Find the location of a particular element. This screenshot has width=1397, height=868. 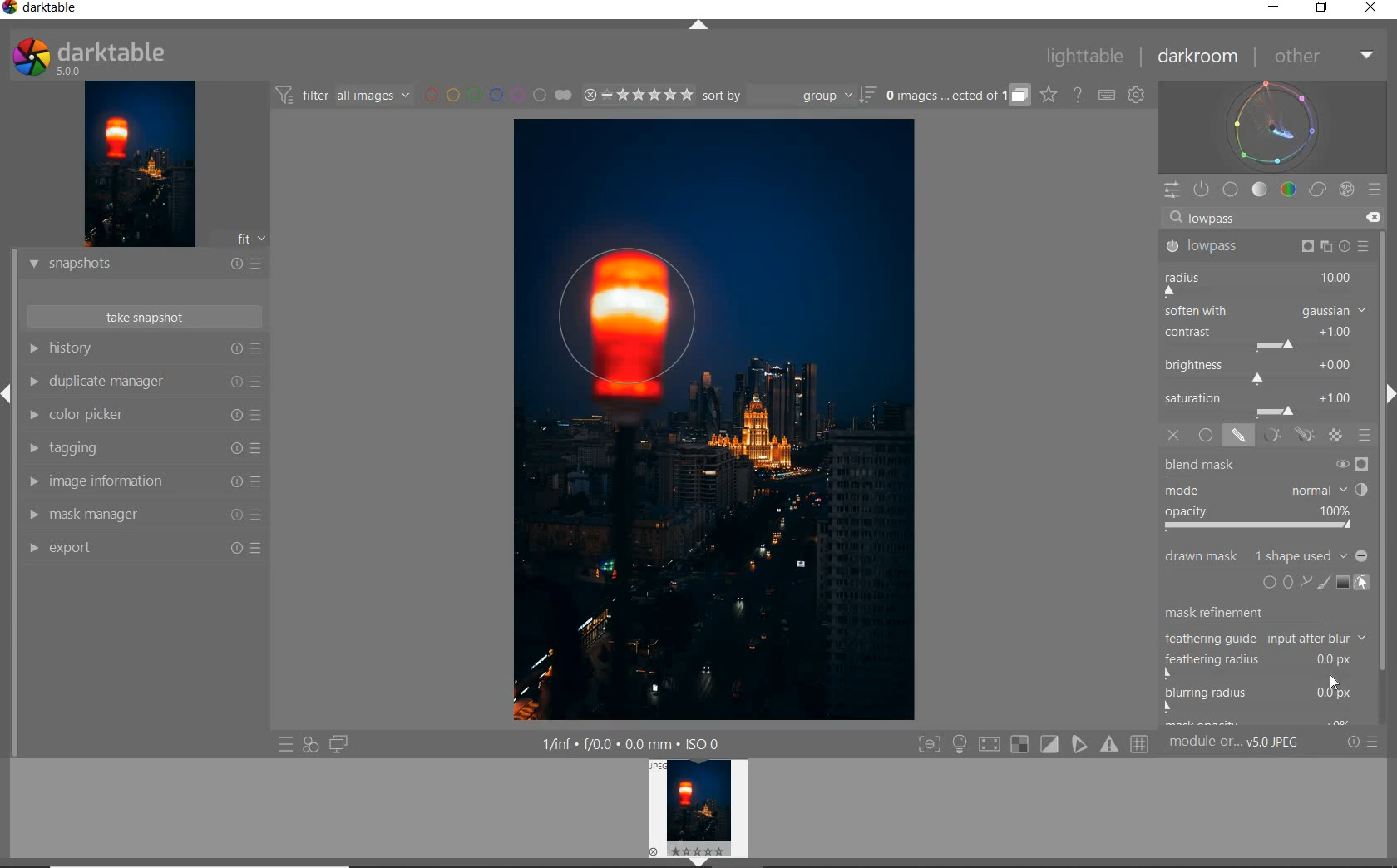

DARKROOM is located at coordinates (1201, 57).